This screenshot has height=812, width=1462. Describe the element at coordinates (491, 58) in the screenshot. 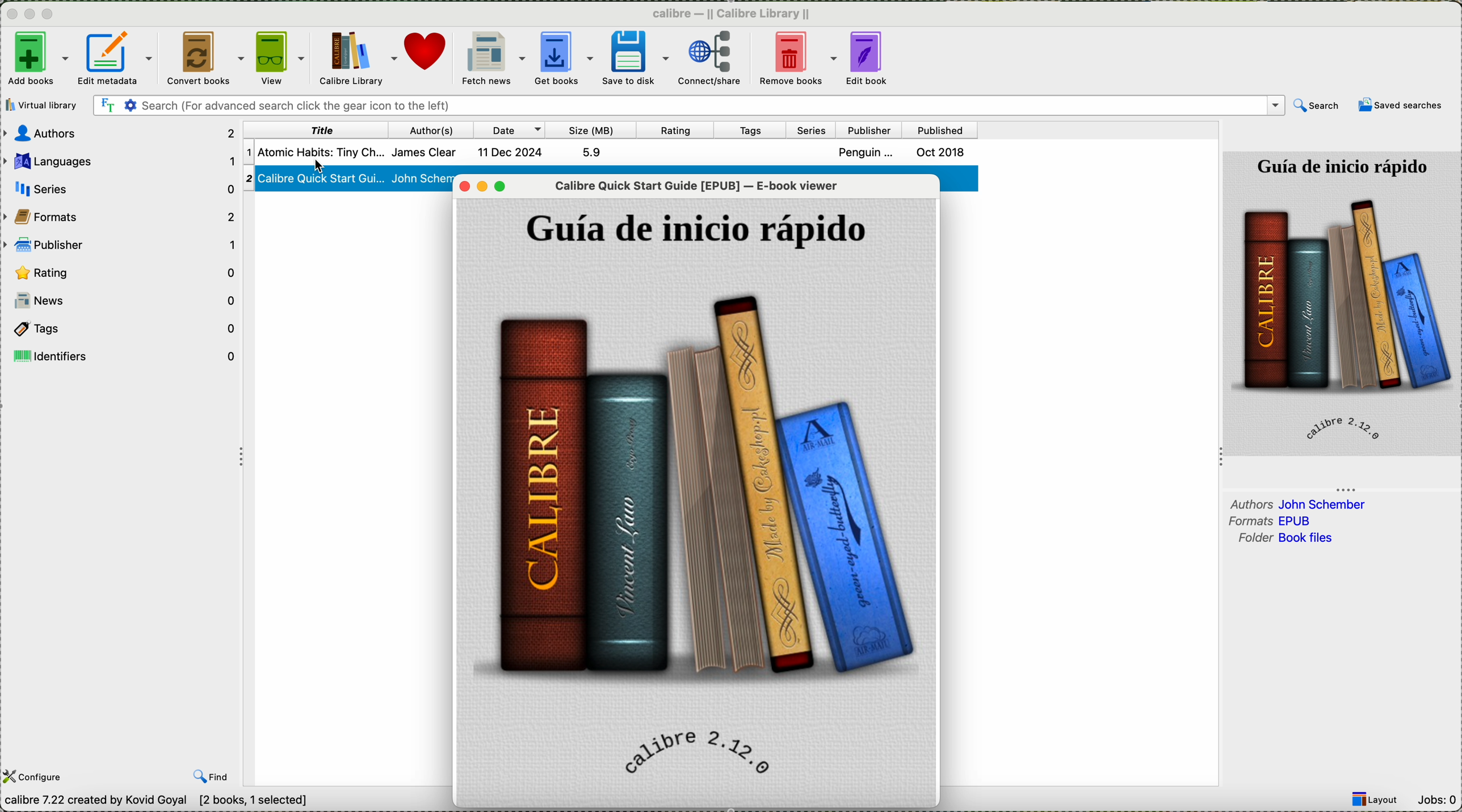

I see `fetch news` at that location.